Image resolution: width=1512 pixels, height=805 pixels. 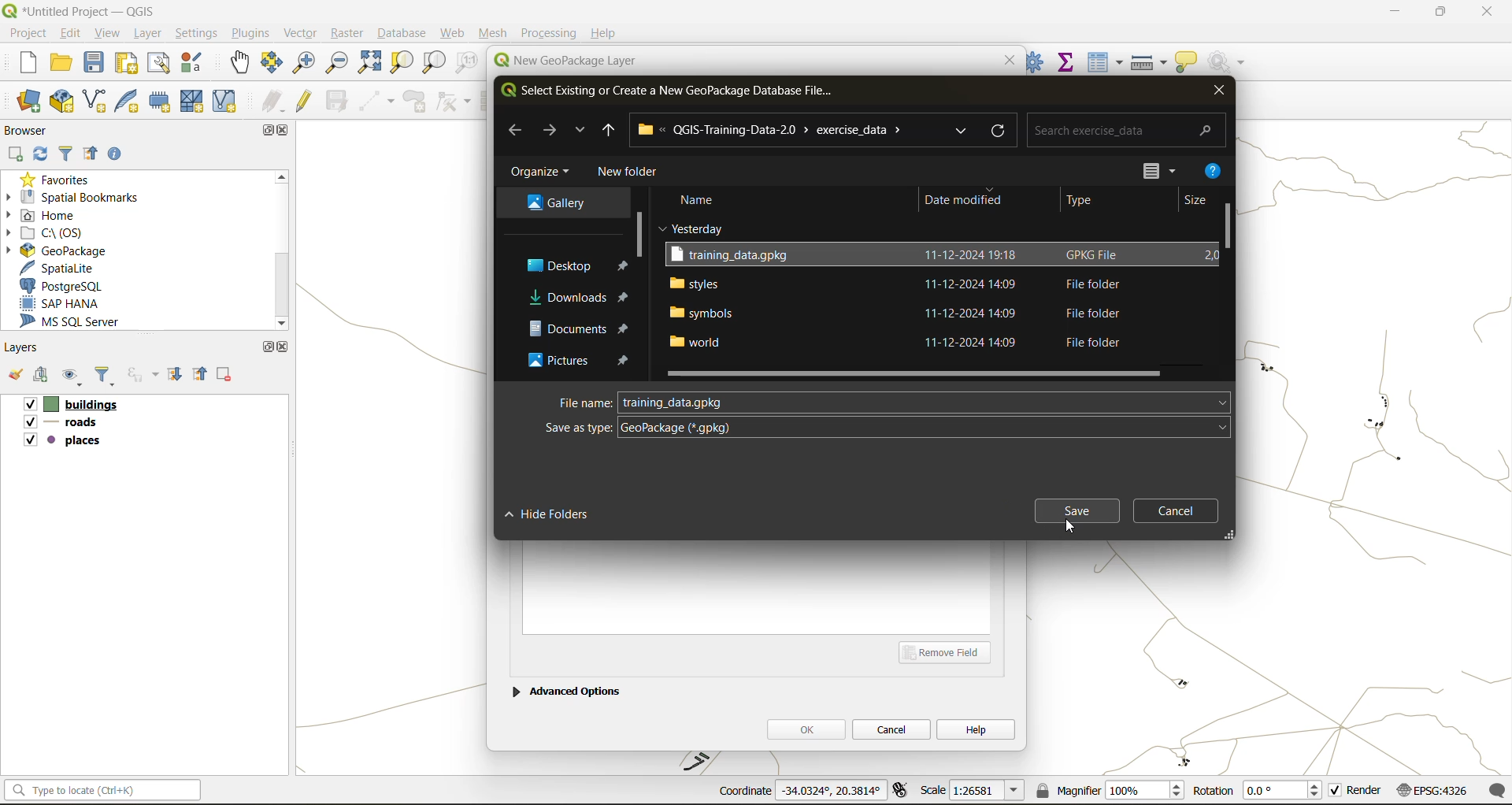 What do you see at coordinates (42, 155) in the screenshot?
I see `refresh` at bounding box center [42, 155].